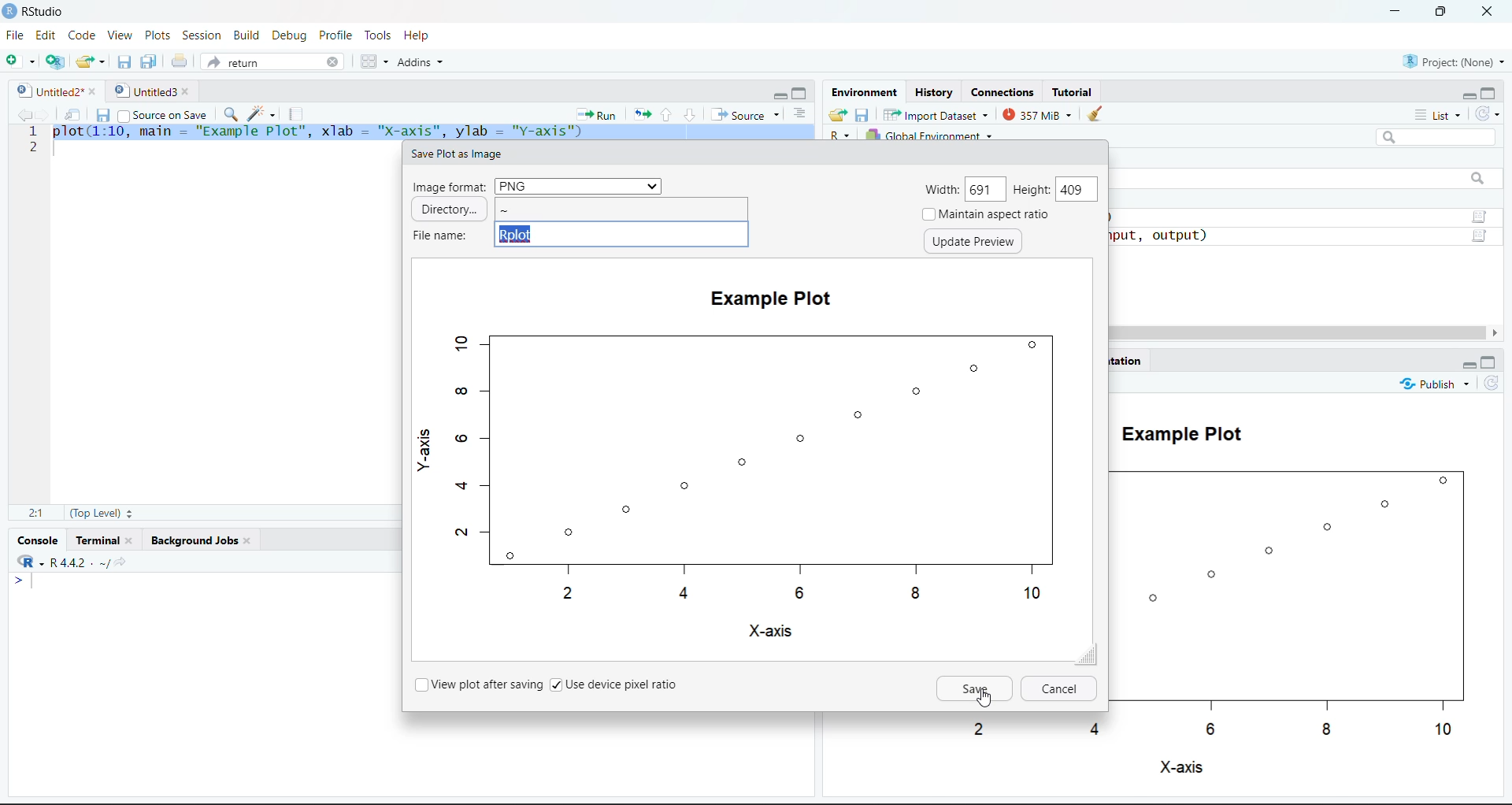 The image size is (1512, 805). I want to click on Y-axis, so click(424, 446).